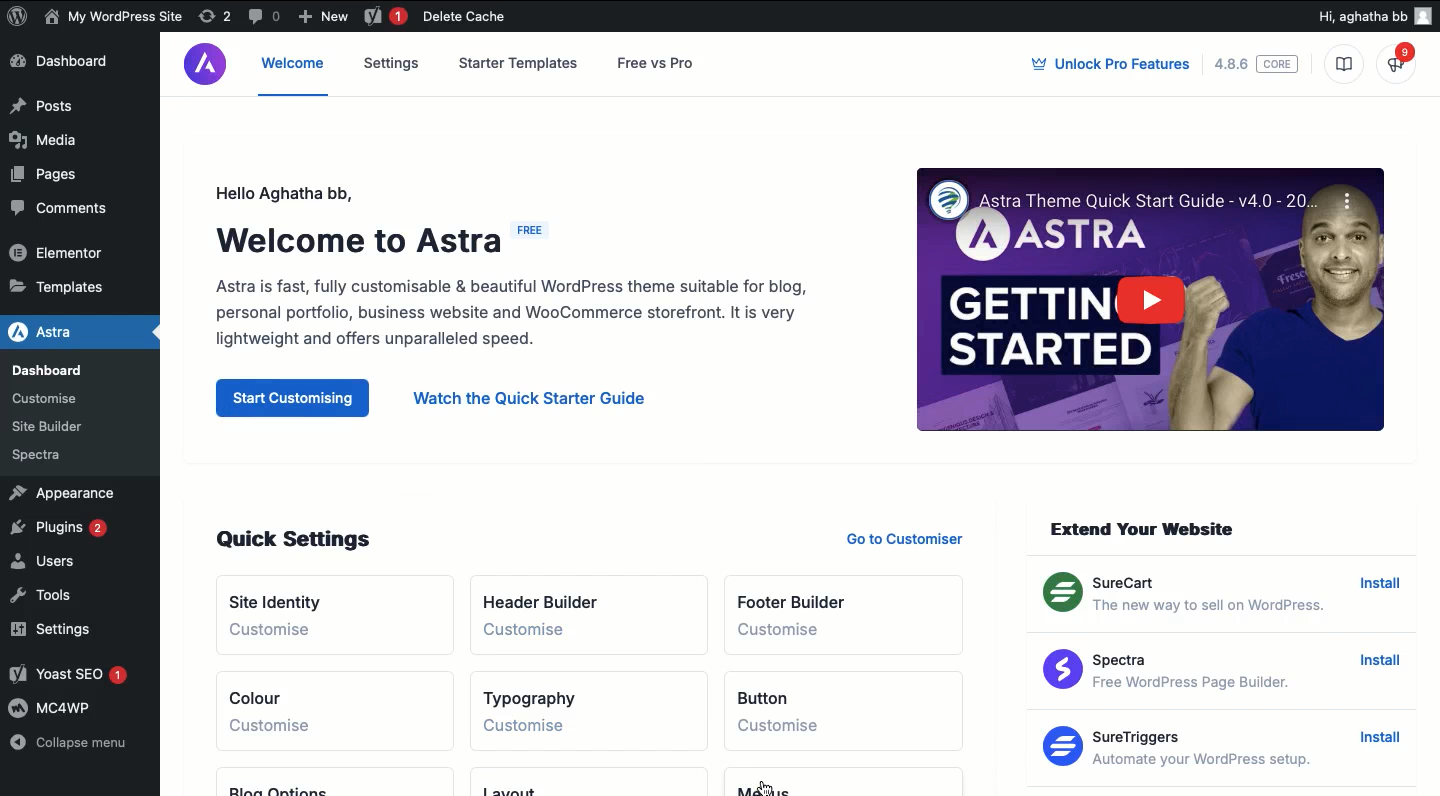 The width and height of the screenshot is (1440, 796). What do you see at coordinates (272, 630) in the screenshot?
I see `Customise` at bounding box center [272, 630].